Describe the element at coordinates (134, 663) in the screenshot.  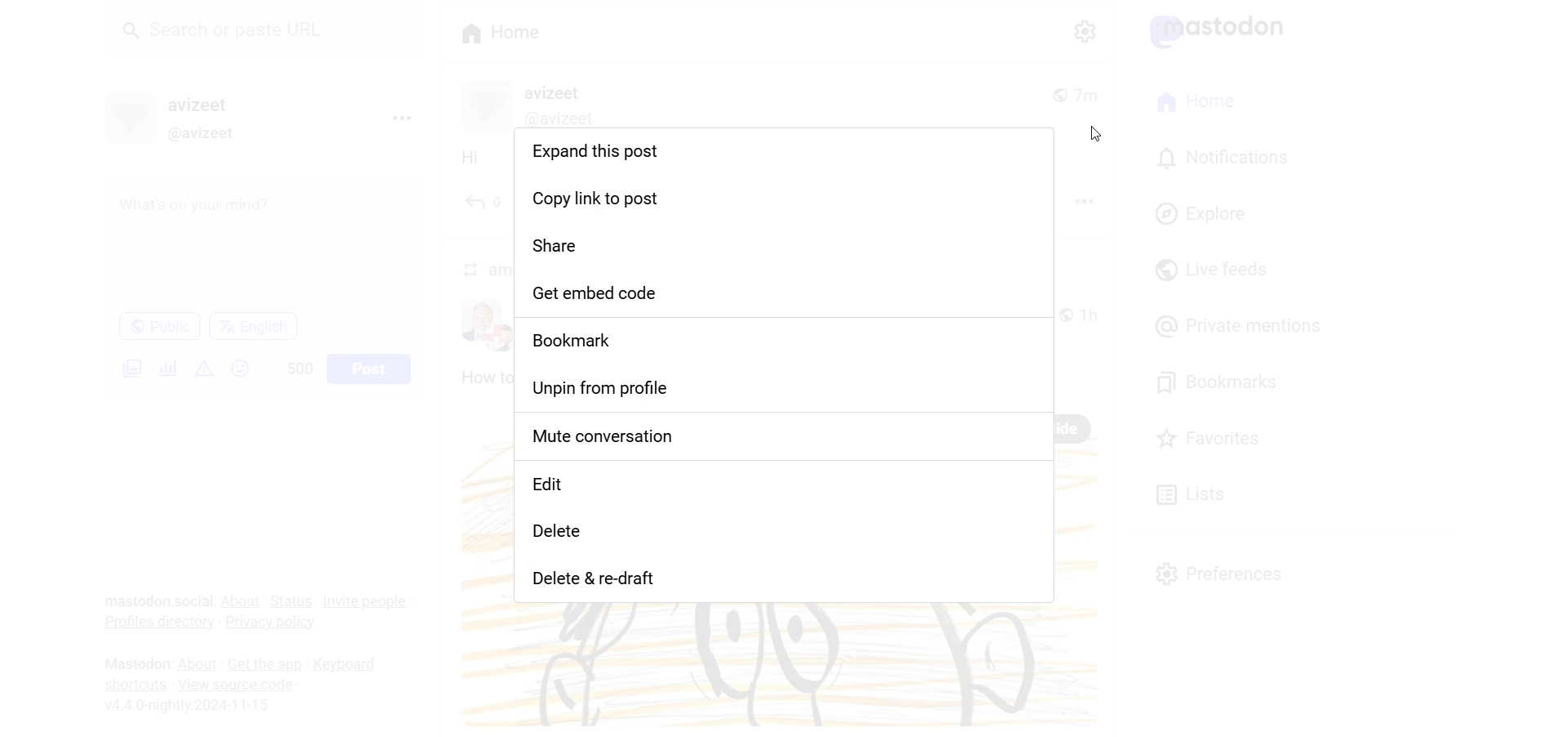
I see `Text` at that location.